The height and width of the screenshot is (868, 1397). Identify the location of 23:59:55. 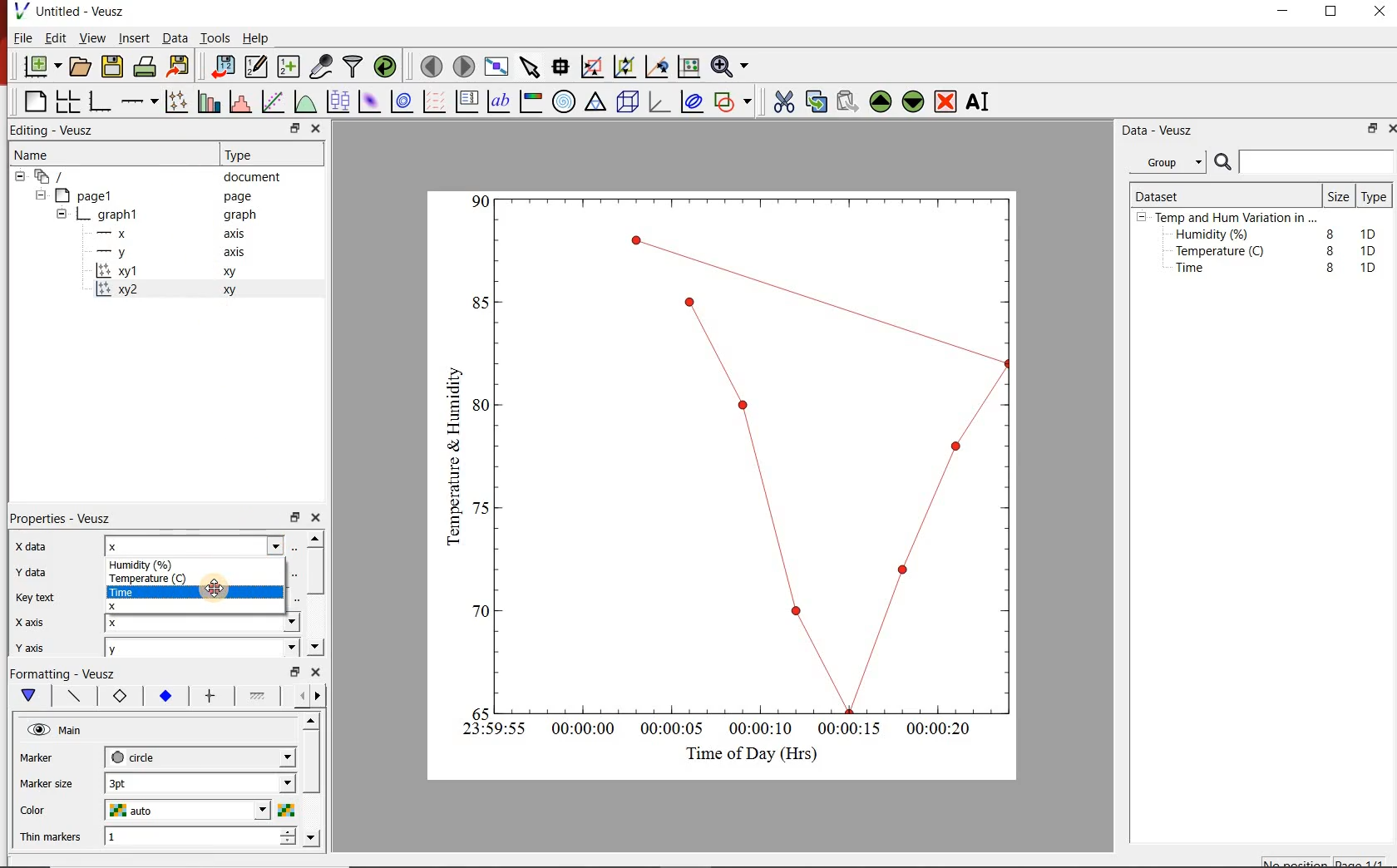
(487, 730).